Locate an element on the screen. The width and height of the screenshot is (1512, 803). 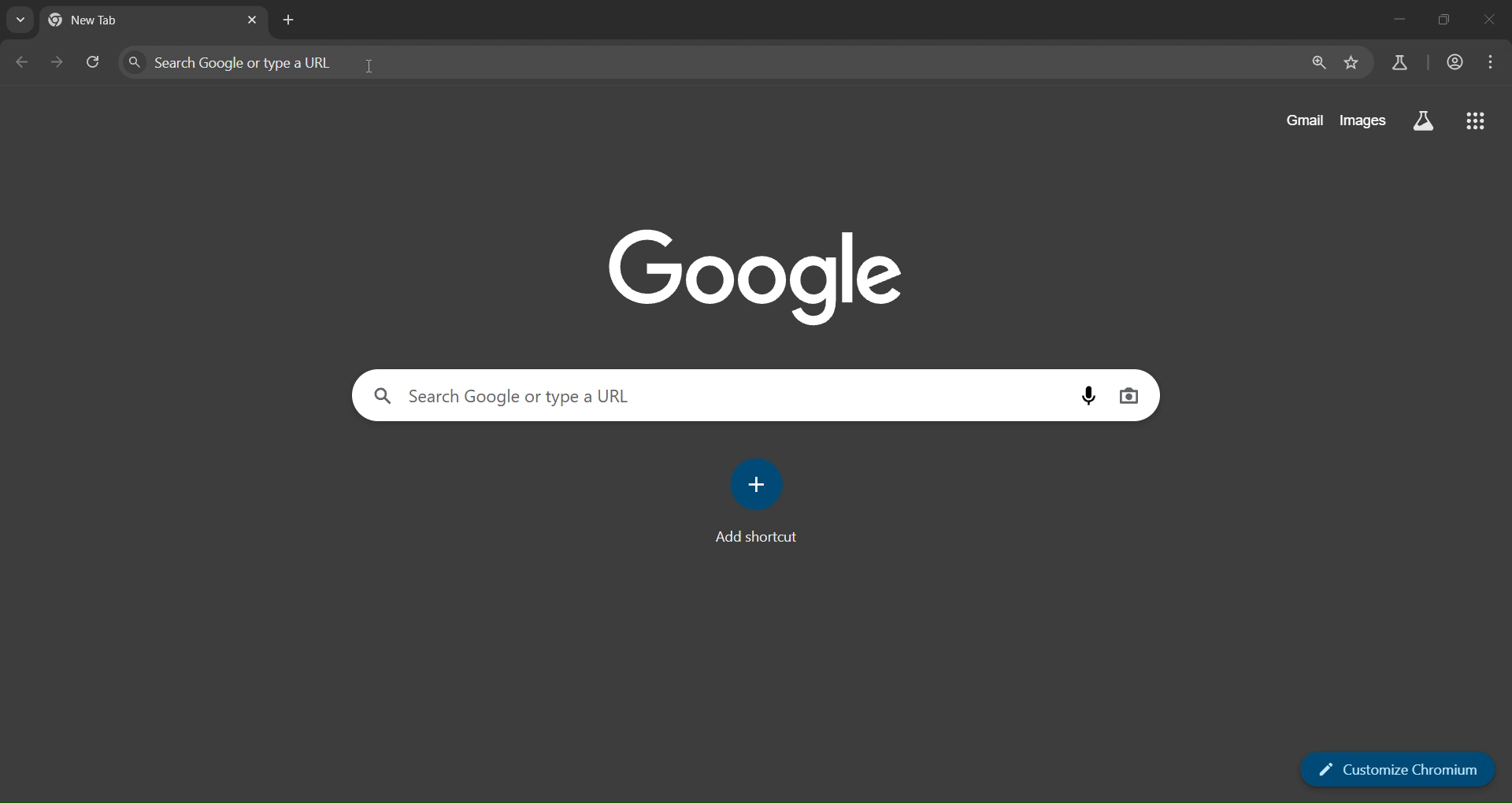
Search Google or type a URL is located at coordinates (638, 394).